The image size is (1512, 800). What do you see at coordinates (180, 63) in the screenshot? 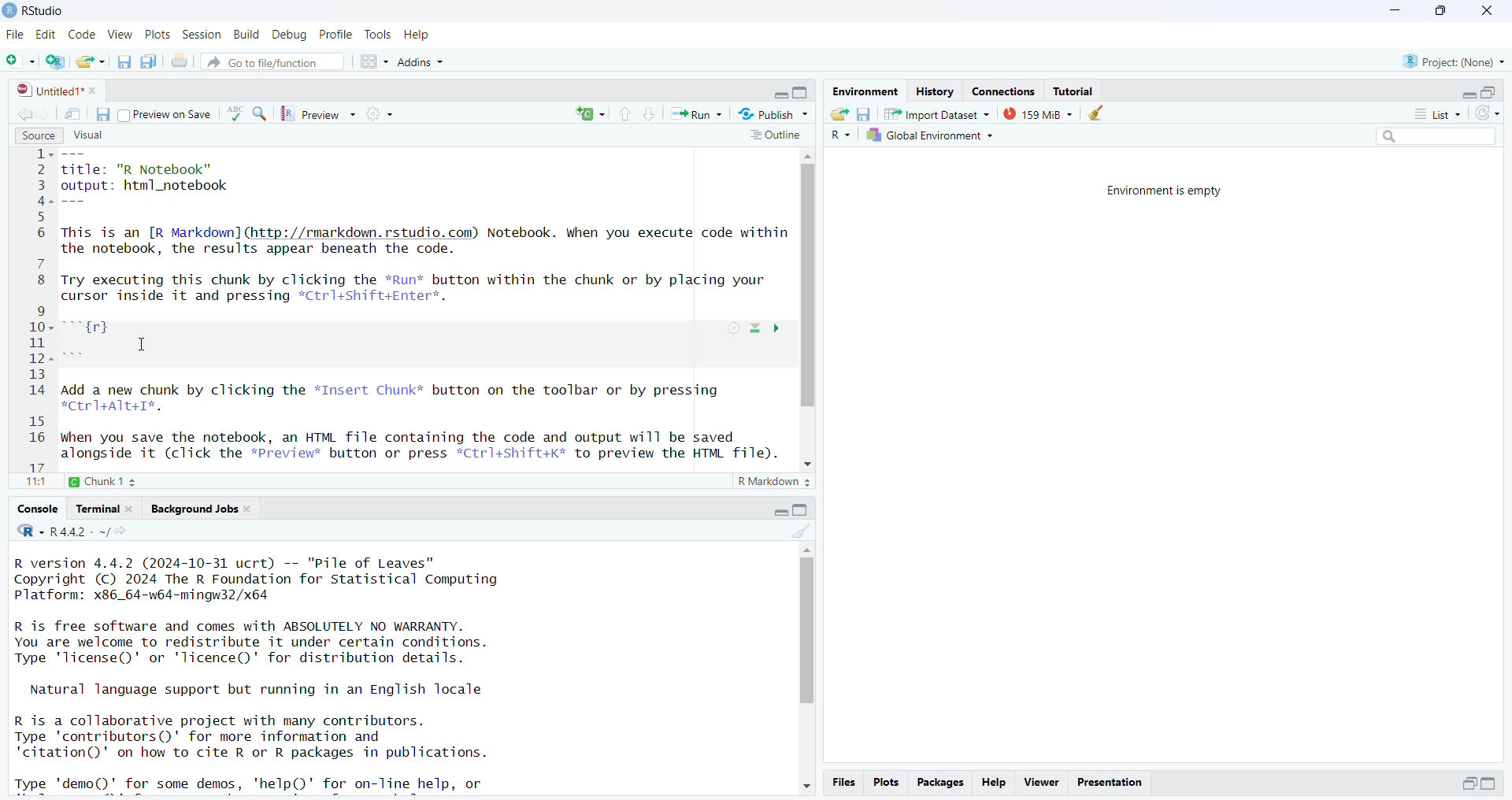
I see `print current file` at bounding box center [180, 63].